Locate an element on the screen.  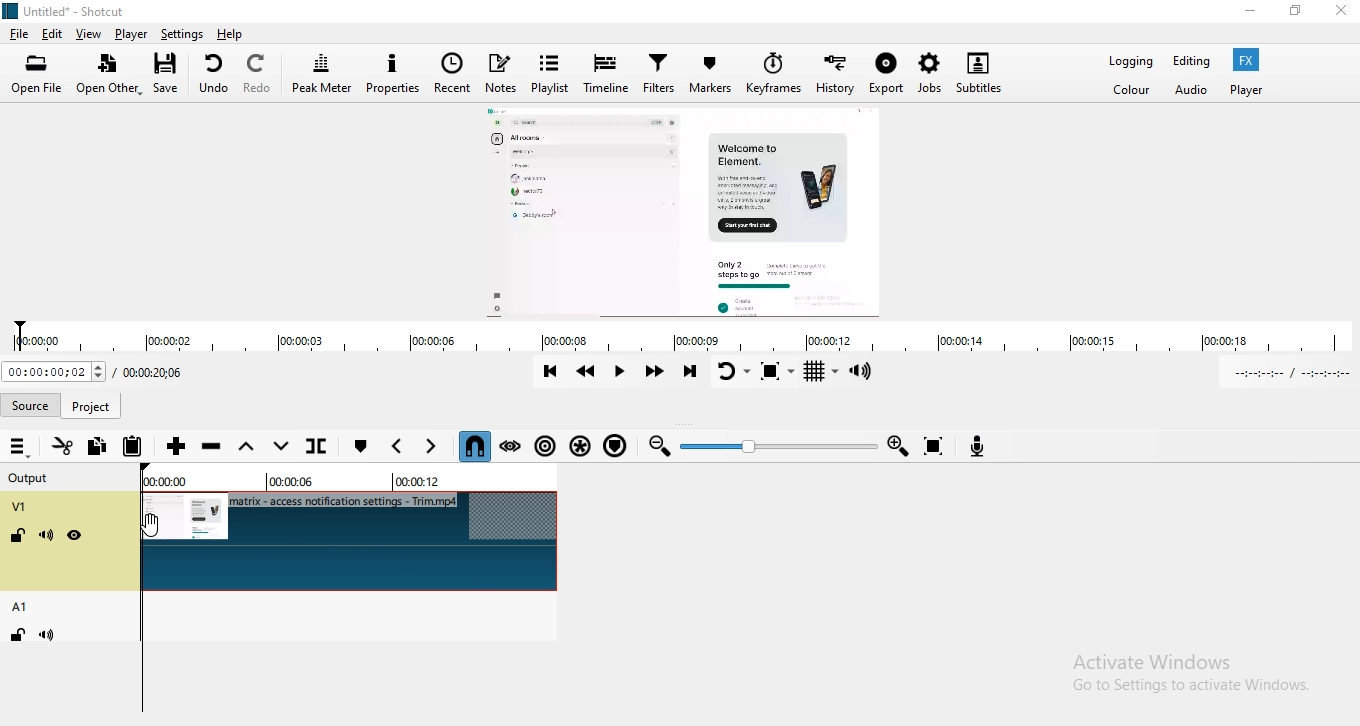
Skip to the next point  is located at coordinates (690, 375).